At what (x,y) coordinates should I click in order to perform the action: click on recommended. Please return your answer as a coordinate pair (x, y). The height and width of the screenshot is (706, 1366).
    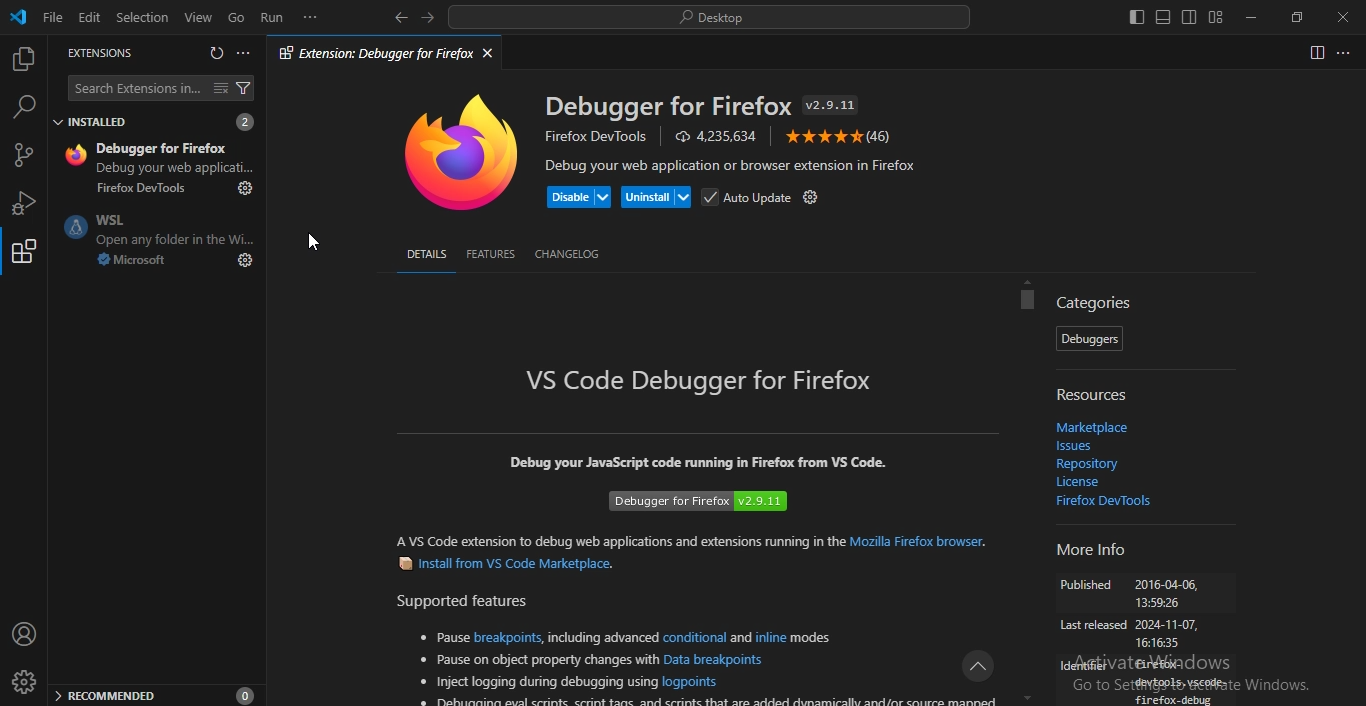
    Looking at the image, I should click on (153, 696).